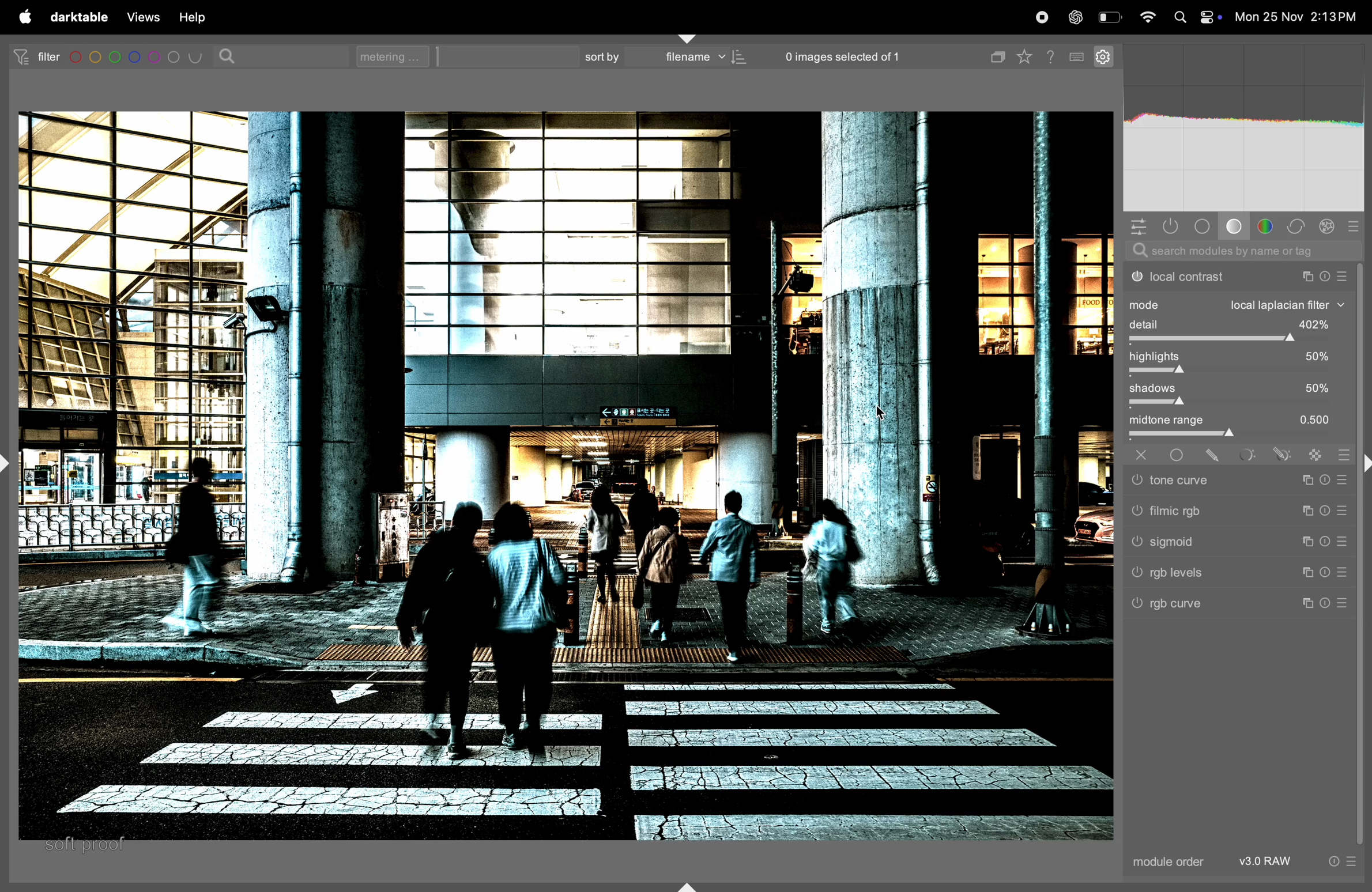 The image size is (1372, 892). I want to click on toggle, so click(1238, 372).